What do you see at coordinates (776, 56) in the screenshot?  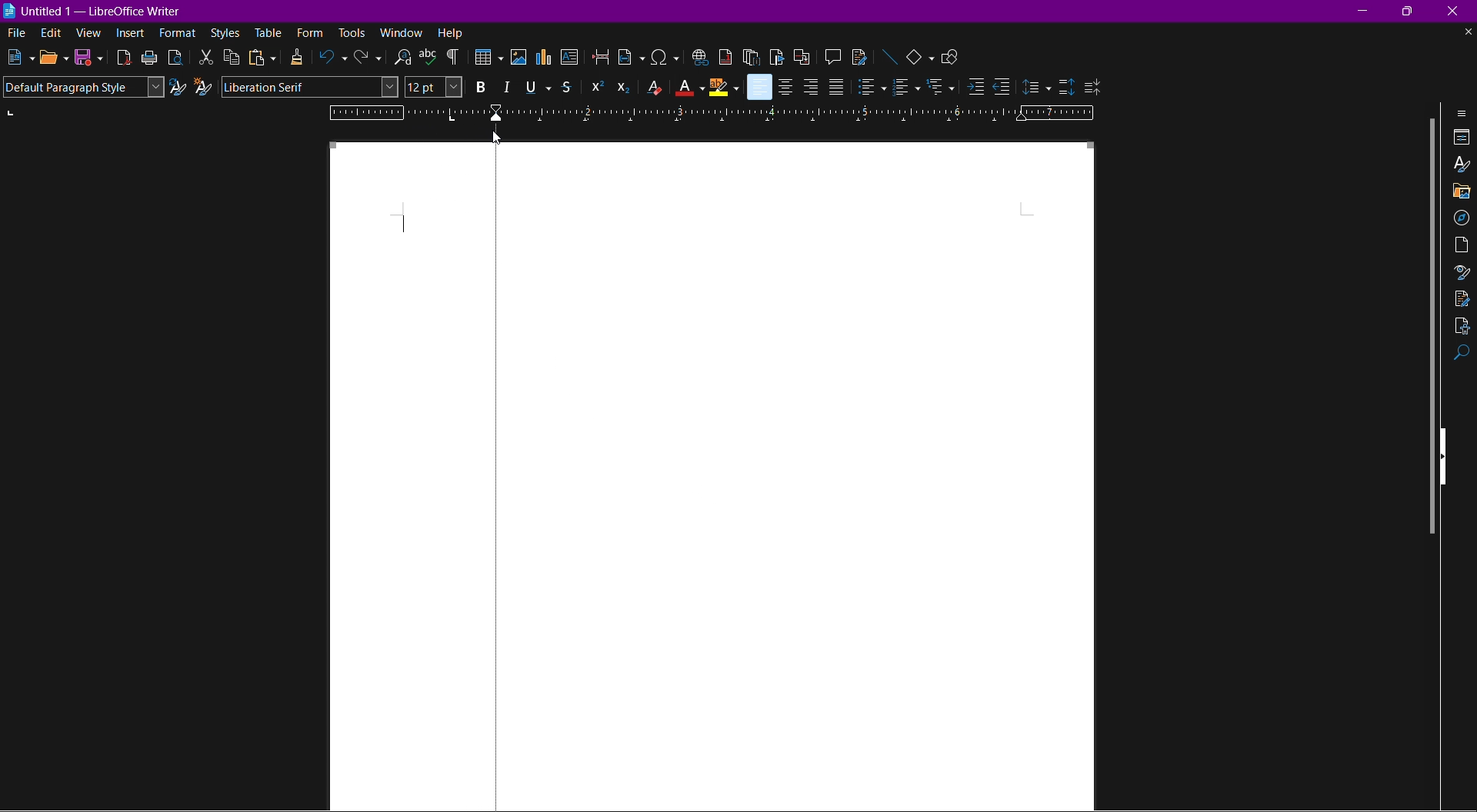 I see `Insert Bookmark` at bounding box center [776, 56].